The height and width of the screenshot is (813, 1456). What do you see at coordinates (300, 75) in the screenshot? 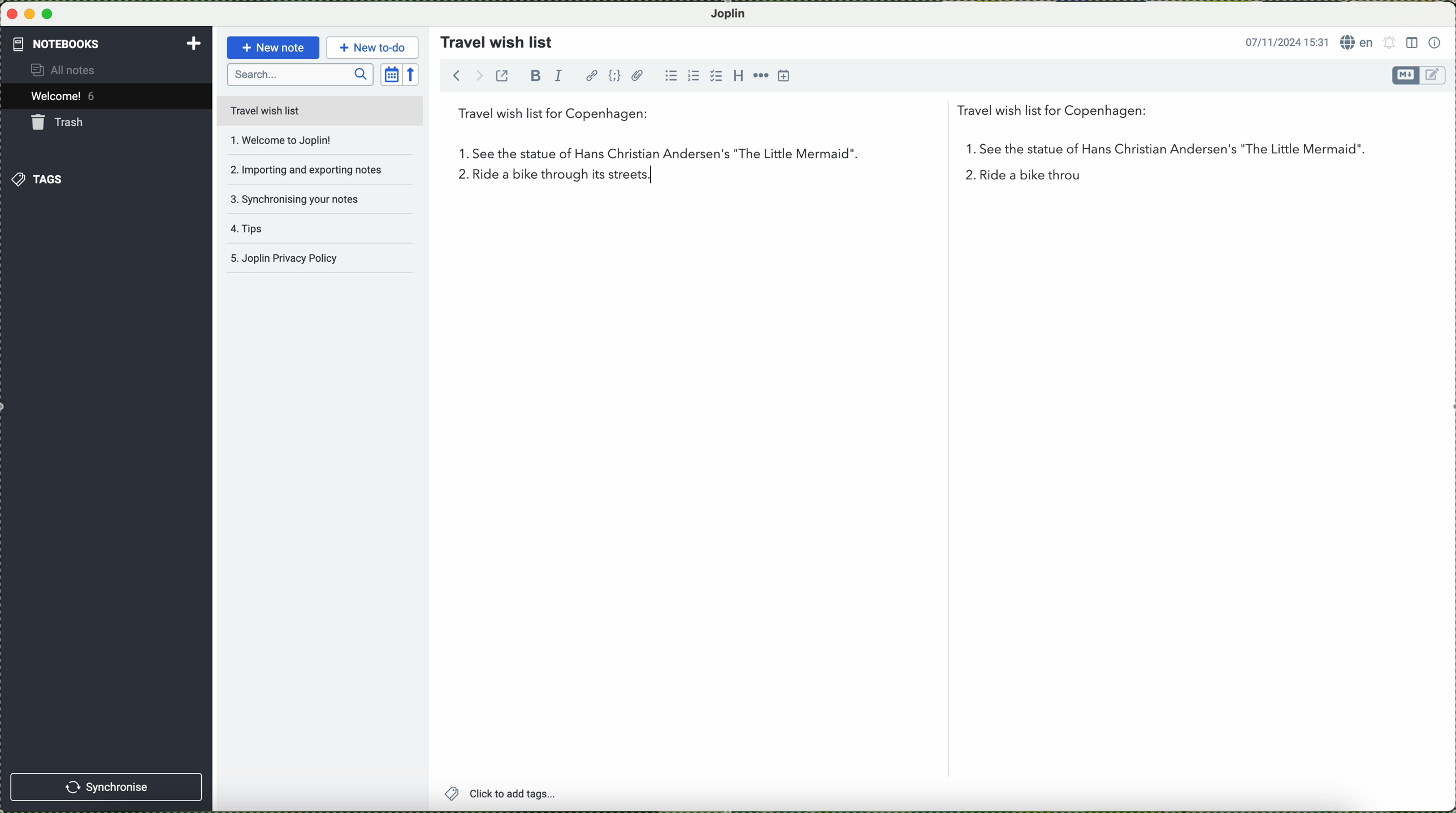
I see `search bar` at bounding box center [300, 75].